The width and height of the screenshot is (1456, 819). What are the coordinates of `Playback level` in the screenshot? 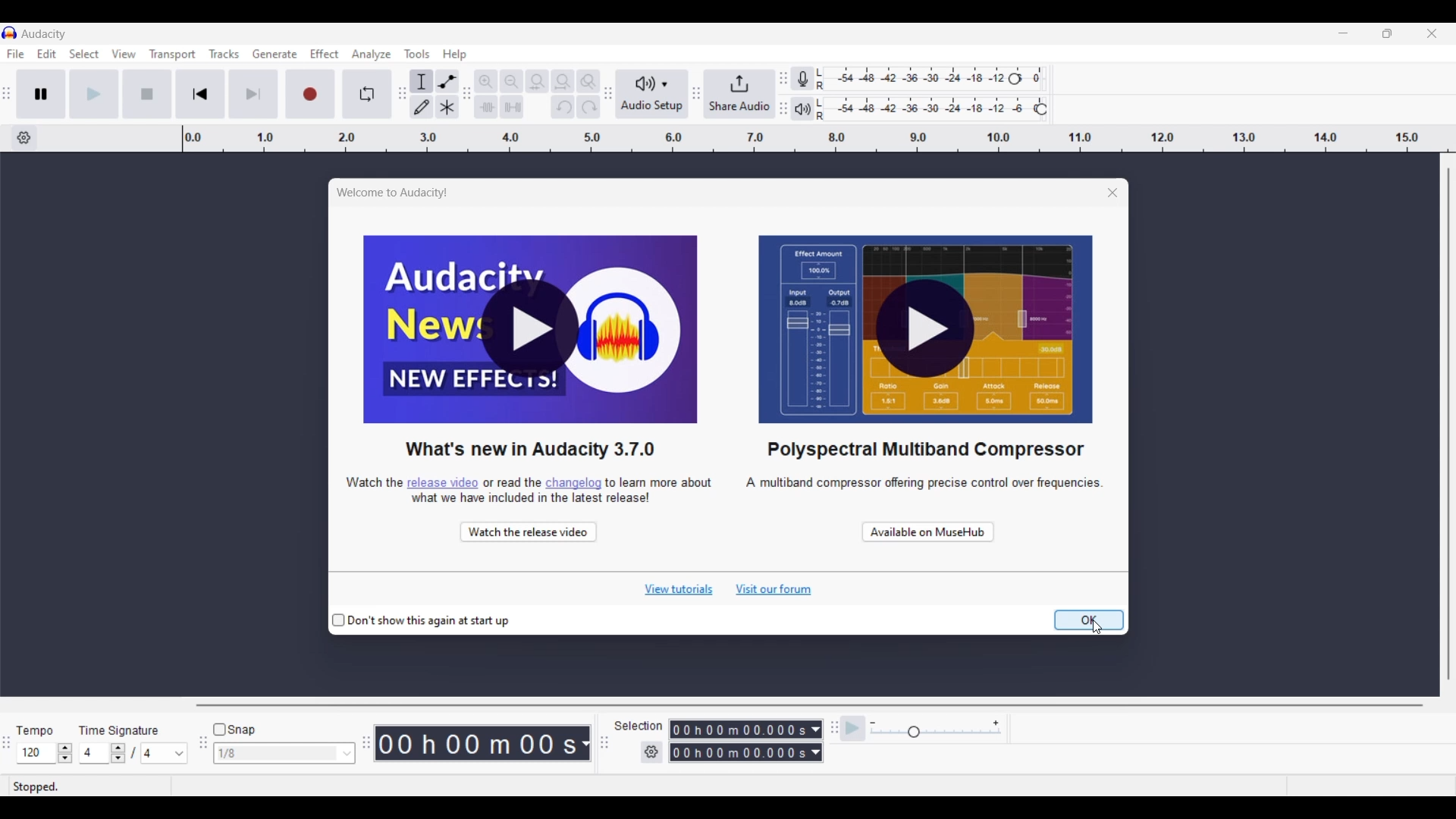 It's located at (936, 107).